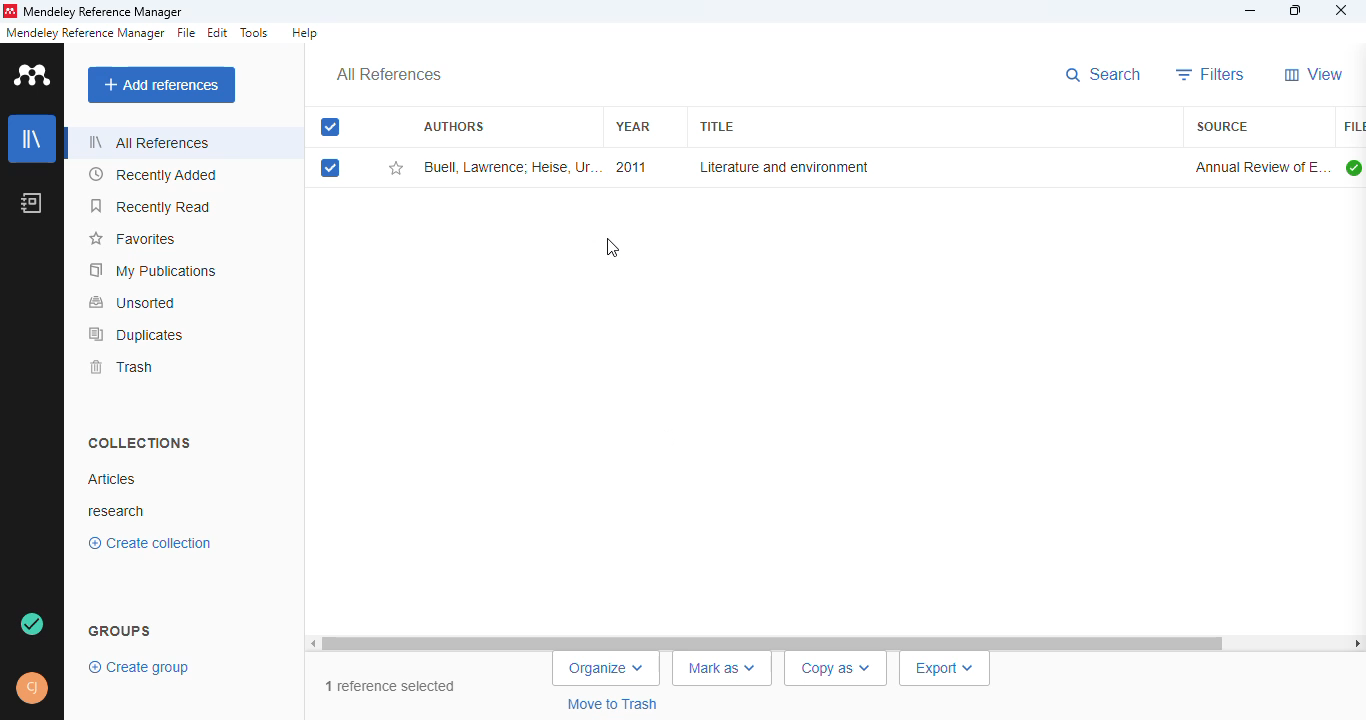 Image resolution: width=1366 pixels, height=720 pixels. What do you see at coordinates (782, 167) in the screenshot?
I see `literature and environment` at bounding box center [782, 167].